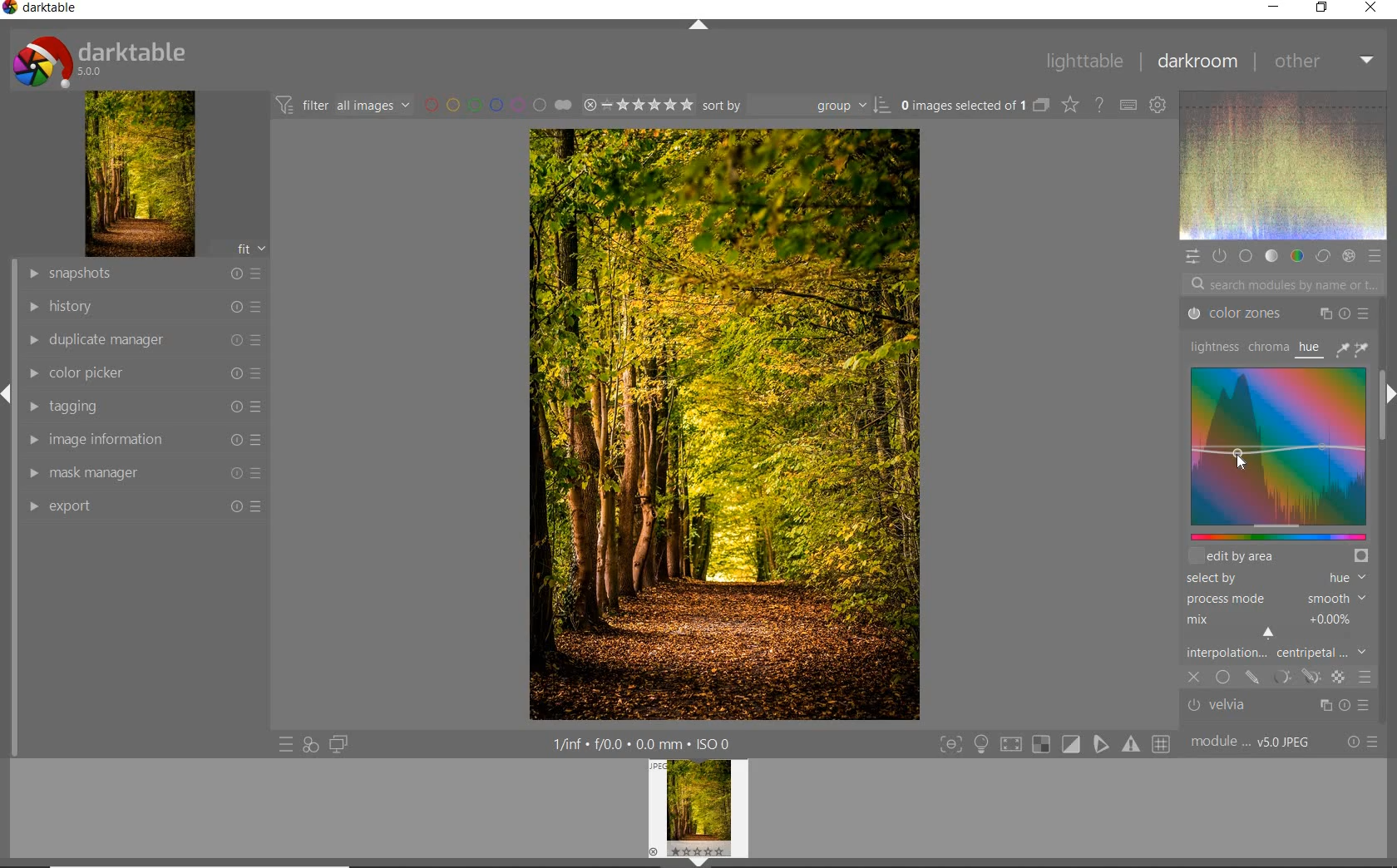  What do you see at coordinates (697, 24) in the screenshot?
I see `EXPAND/COLLAPSE` at bounding box center [697, 24].